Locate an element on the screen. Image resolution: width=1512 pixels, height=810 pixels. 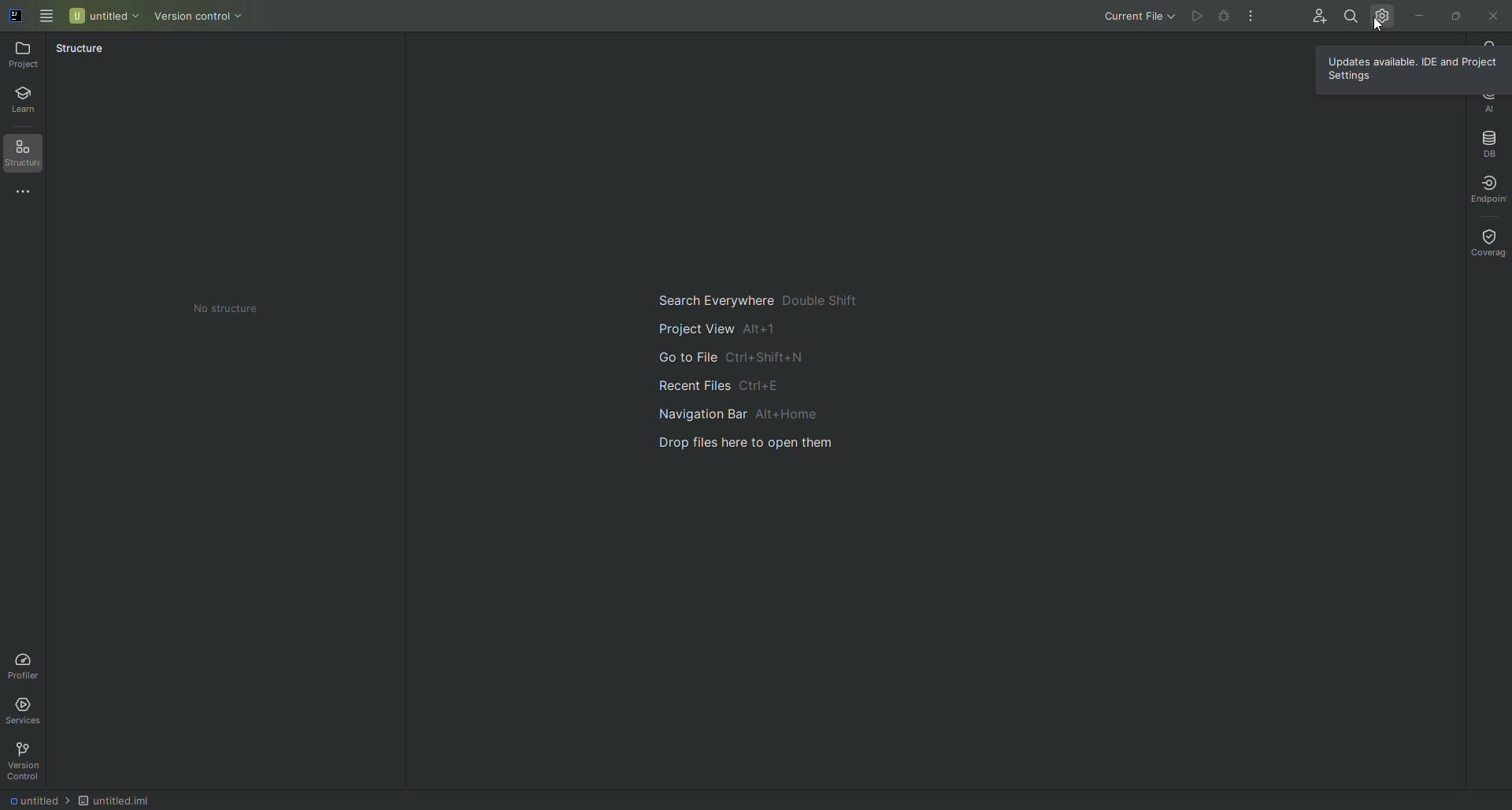
Text is located at coordinates (224, 307).